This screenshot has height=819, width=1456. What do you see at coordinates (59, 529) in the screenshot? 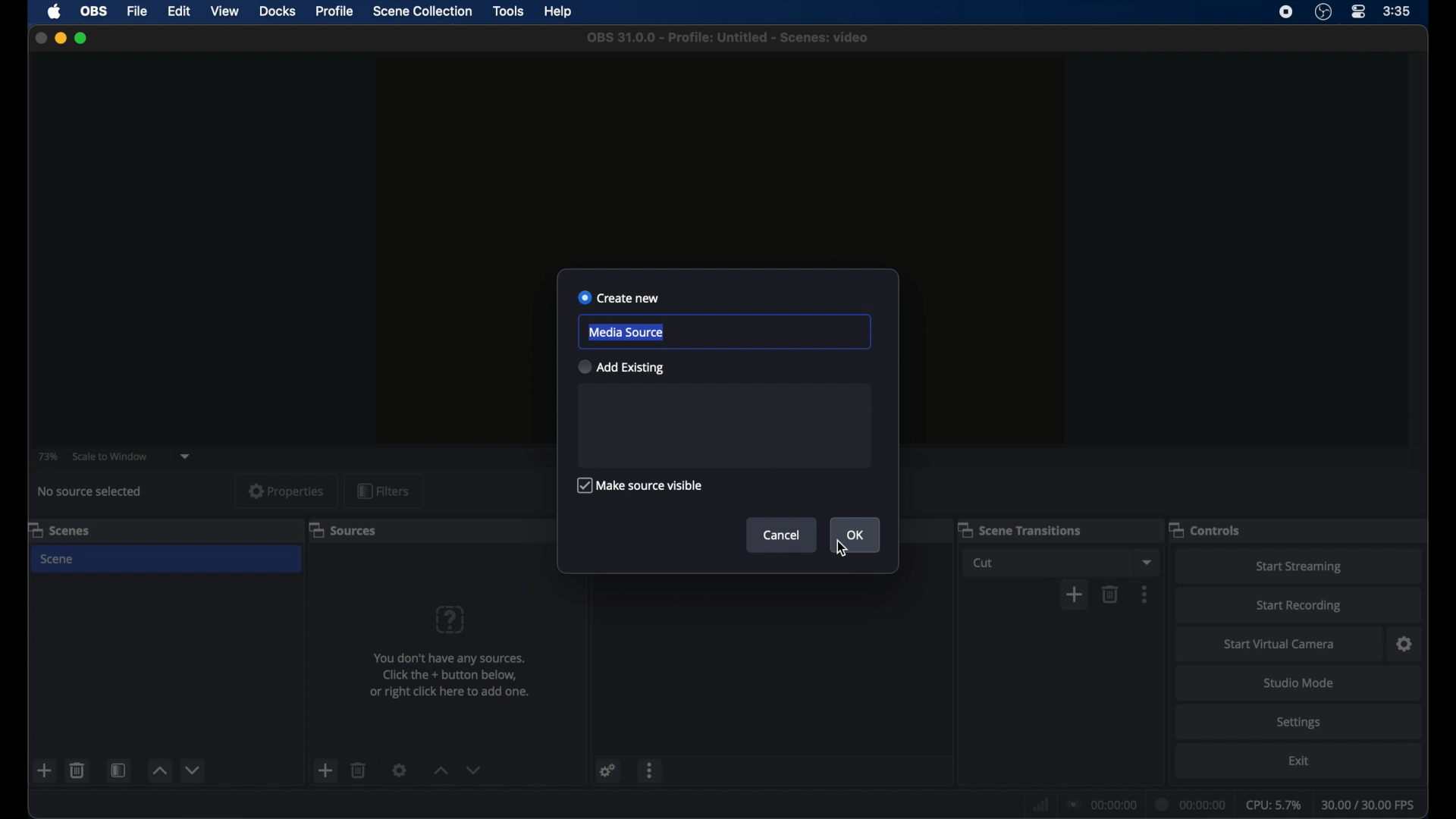
I see `scenes` at bounding box center [59, 529].